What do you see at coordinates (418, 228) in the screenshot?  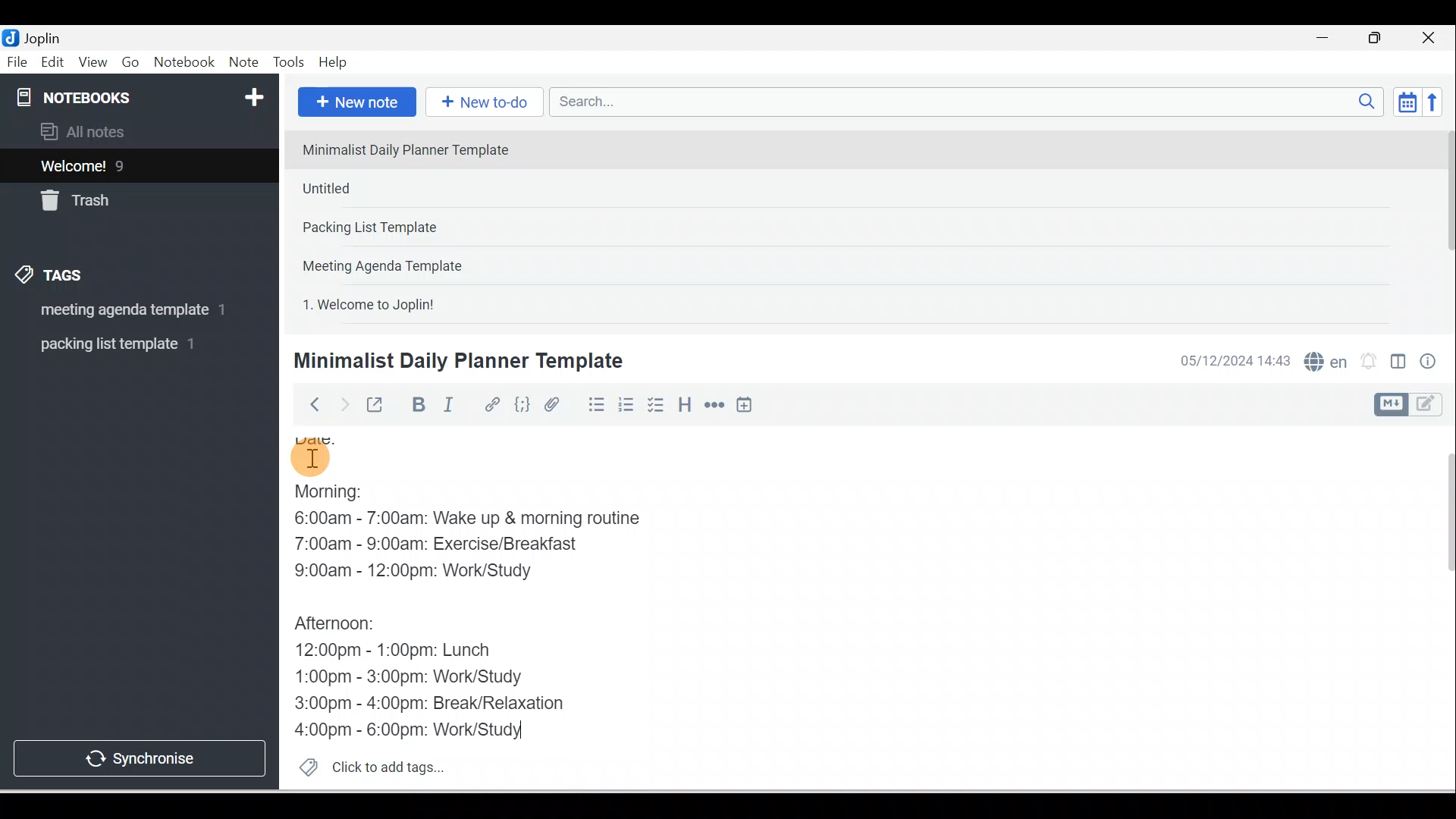 I see `Note 3` at bounding box center [418, 228].